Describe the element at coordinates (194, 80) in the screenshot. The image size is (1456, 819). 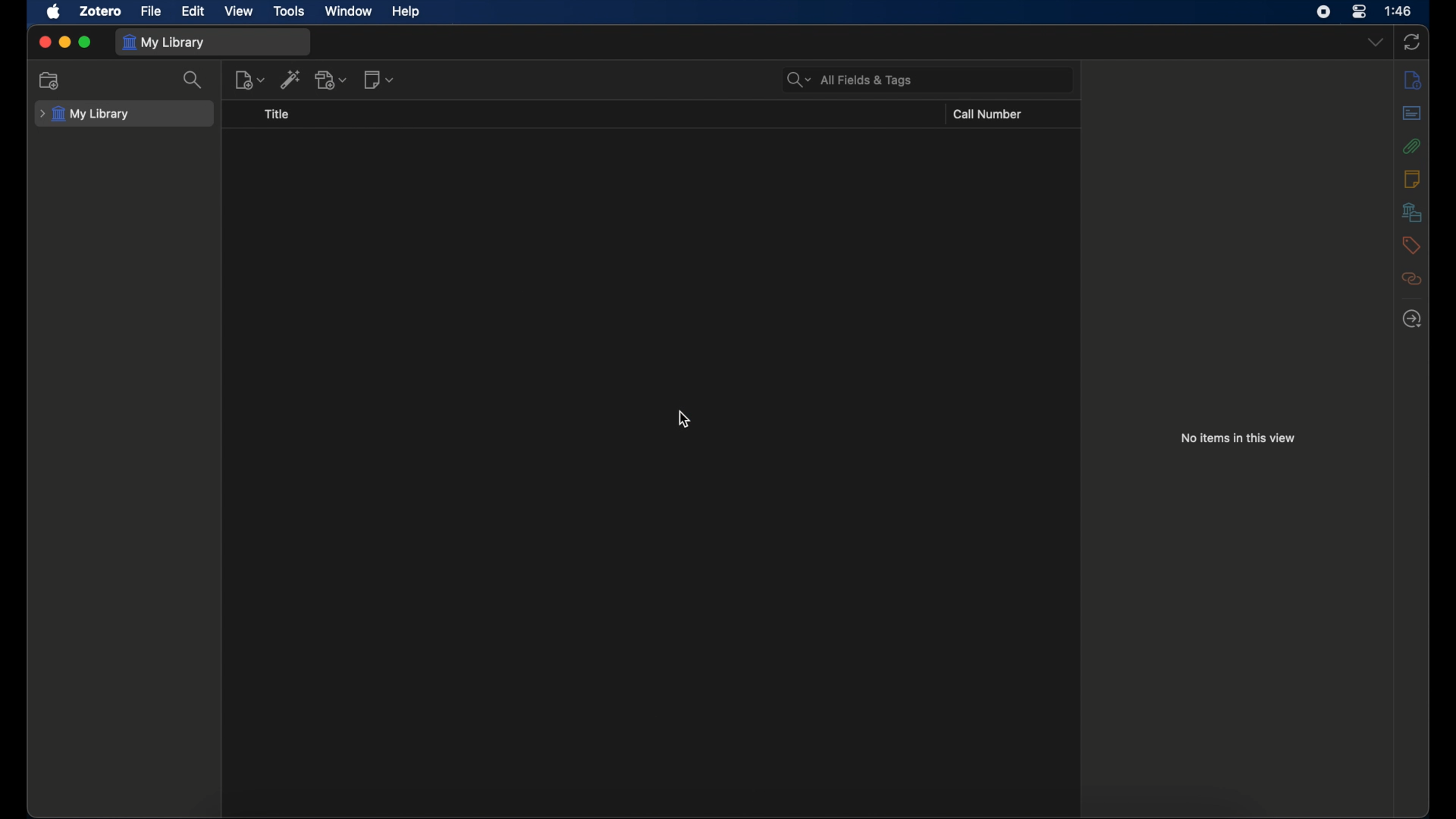
I see `search` at that location.